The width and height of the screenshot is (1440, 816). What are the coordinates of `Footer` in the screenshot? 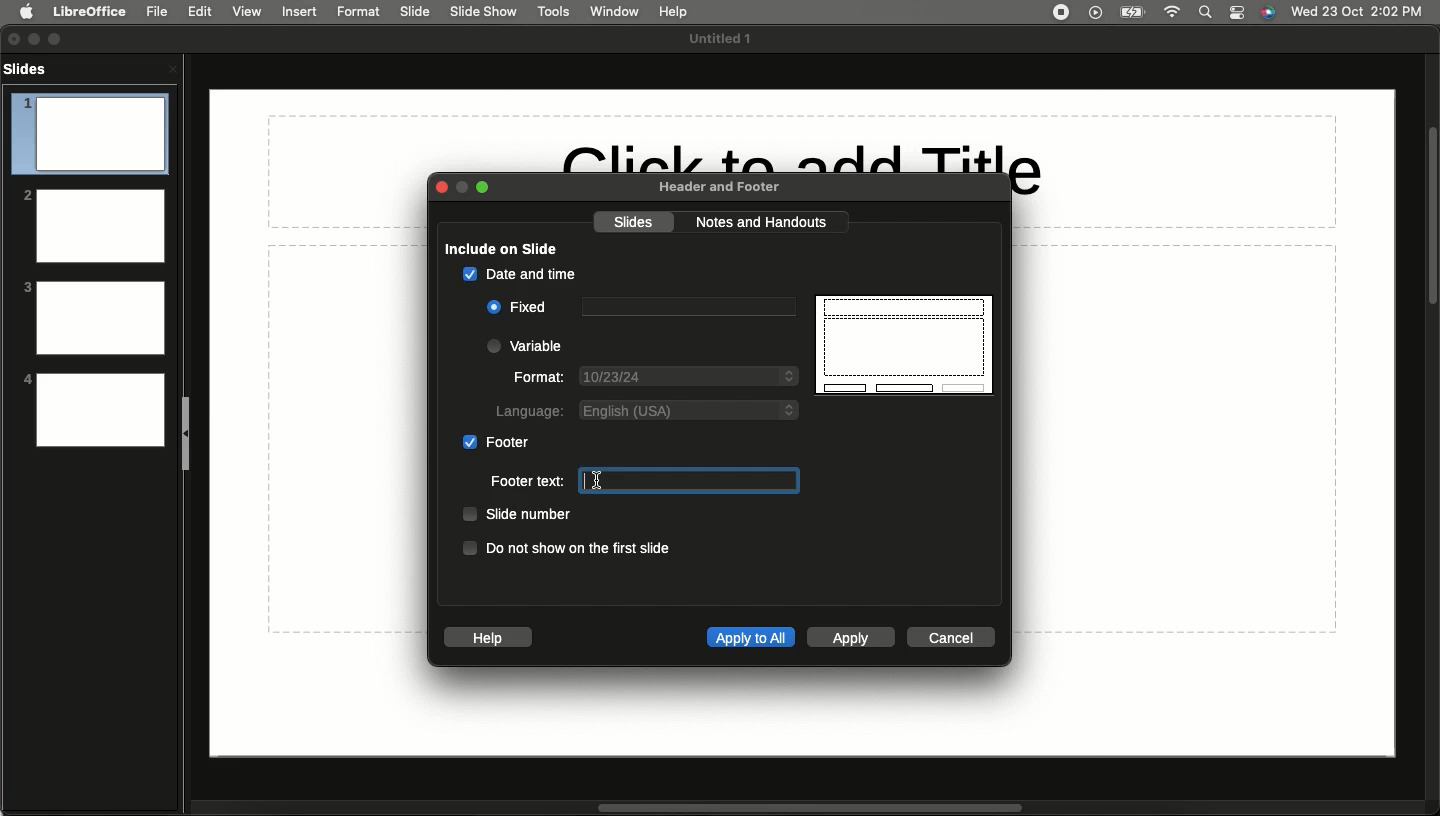 It's located at (495, 442).